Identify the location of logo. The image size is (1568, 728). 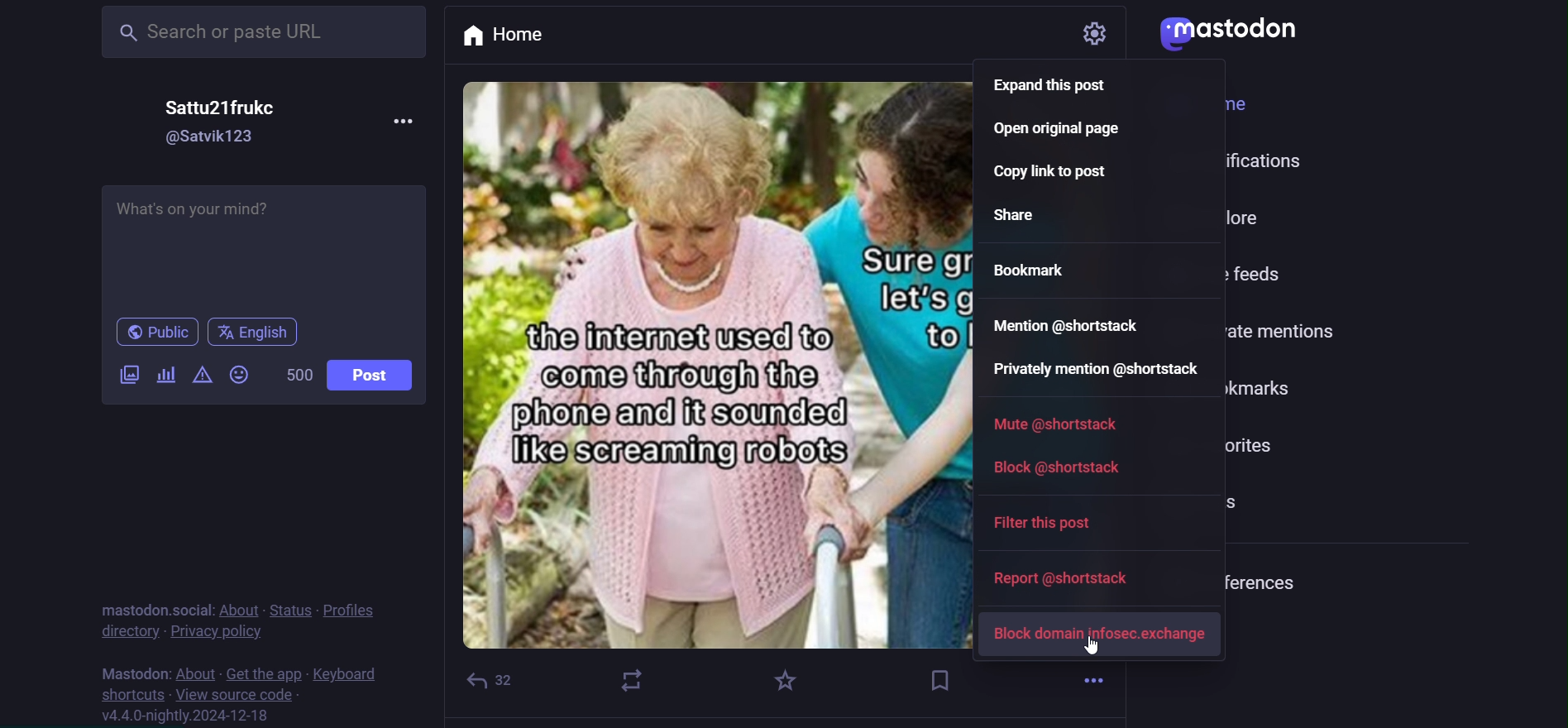
(1228, 31).